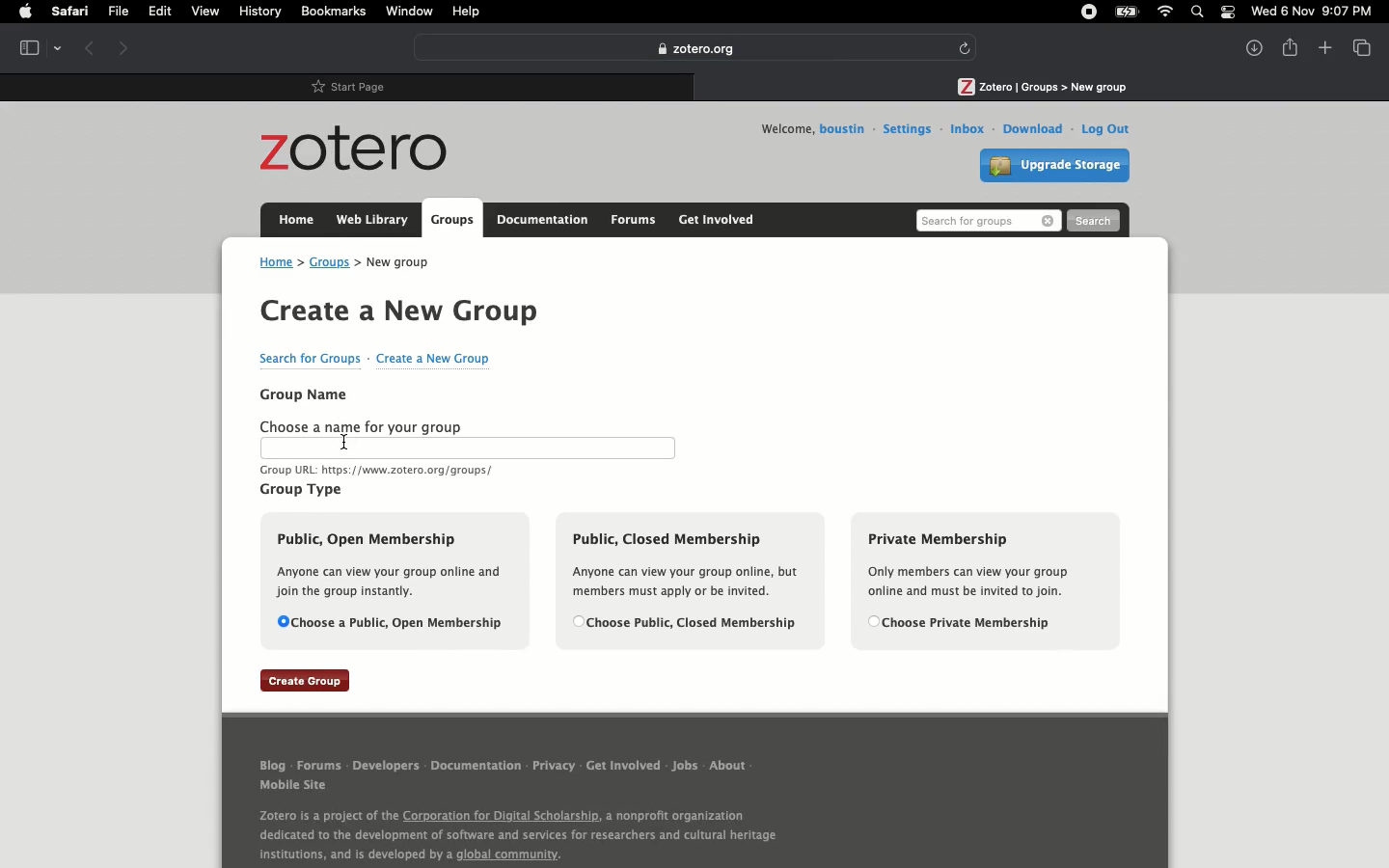  What do you see at coordinates (390, 765) in the screenshot?
I see `Developers` at bounding box center [390, 765].